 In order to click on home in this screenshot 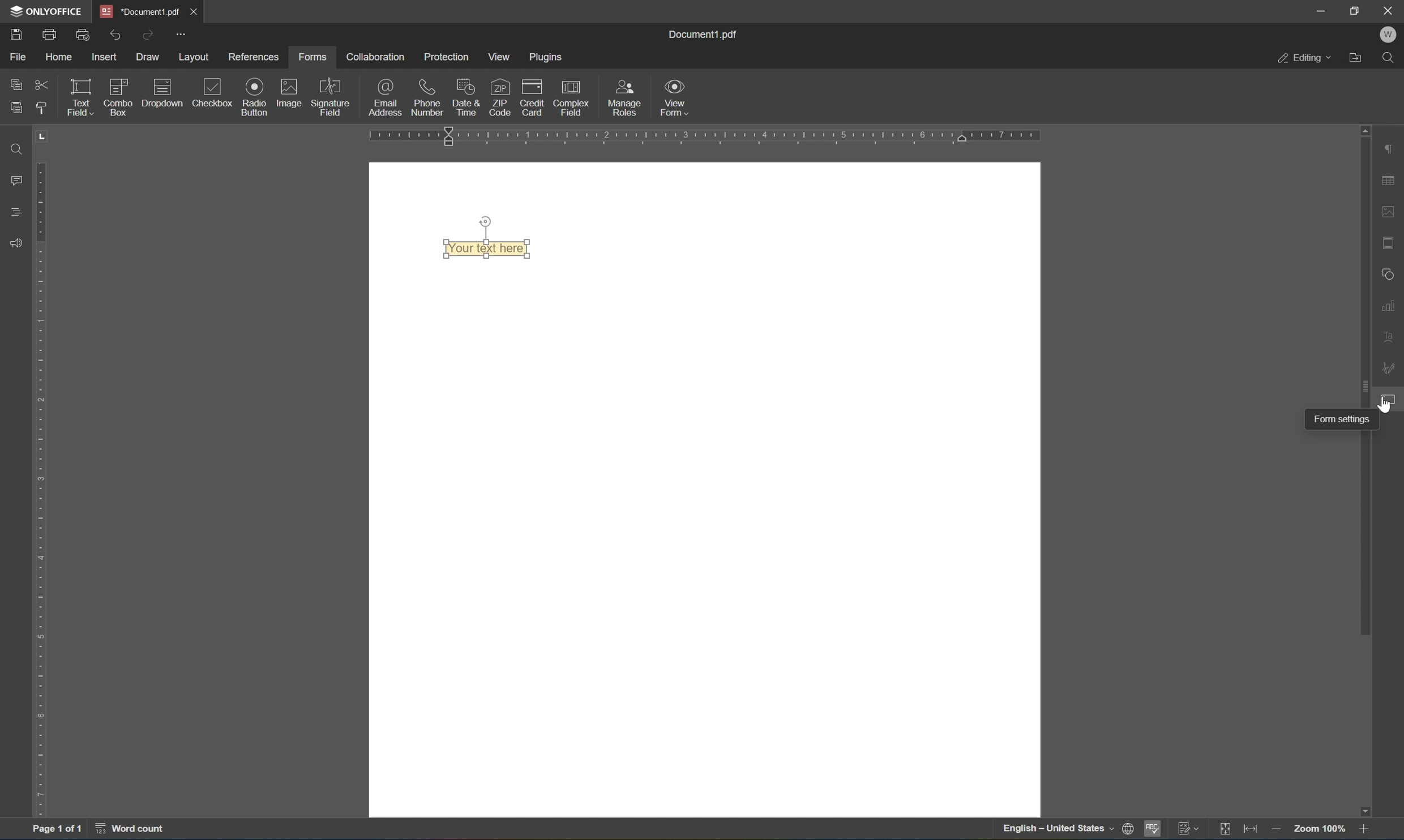, I will do `click(60, 55)`.